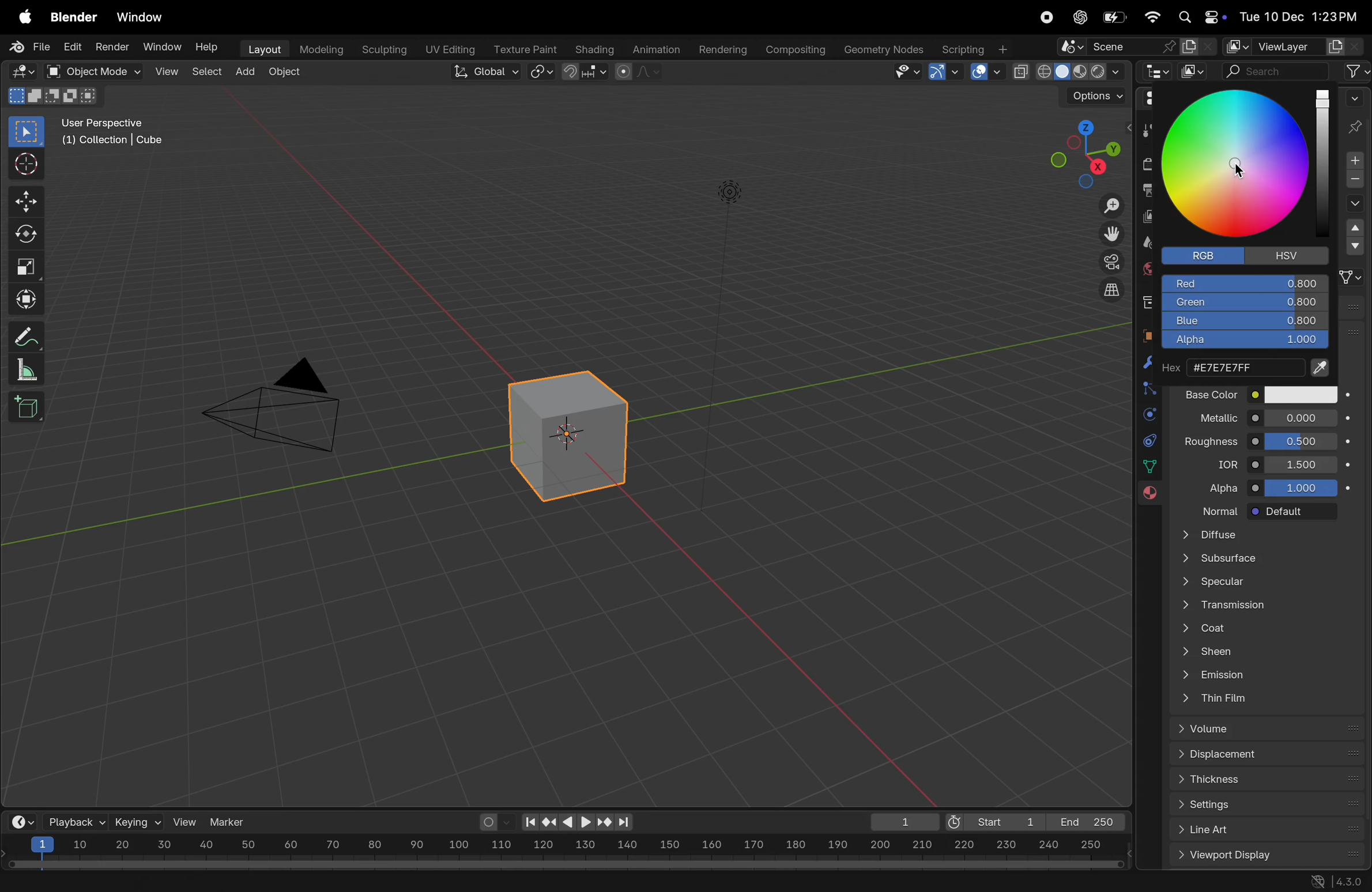  I want to click on drop down menu, so click(1355, 242).